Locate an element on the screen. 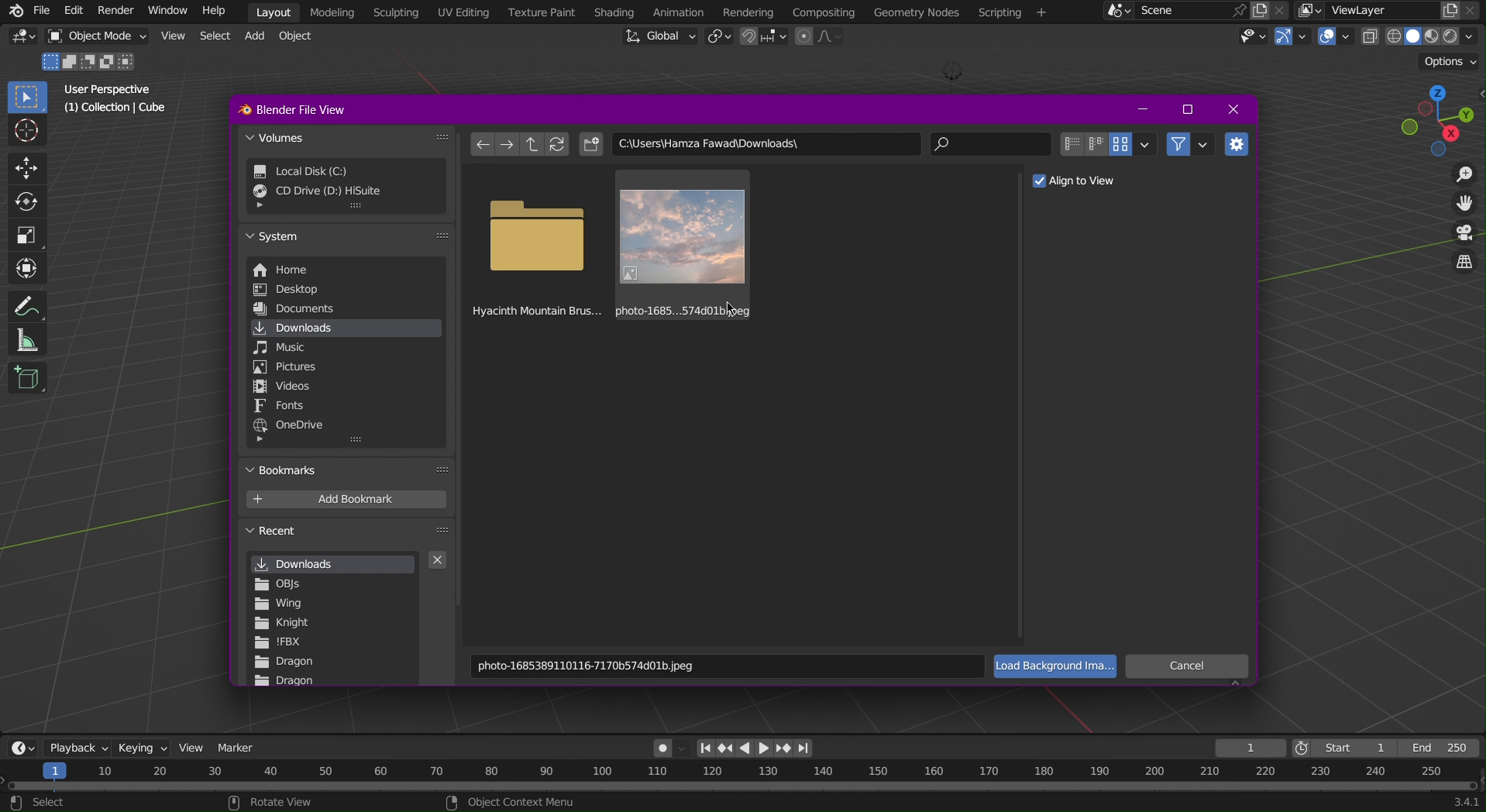  Back is located at coordinates (484, 144).